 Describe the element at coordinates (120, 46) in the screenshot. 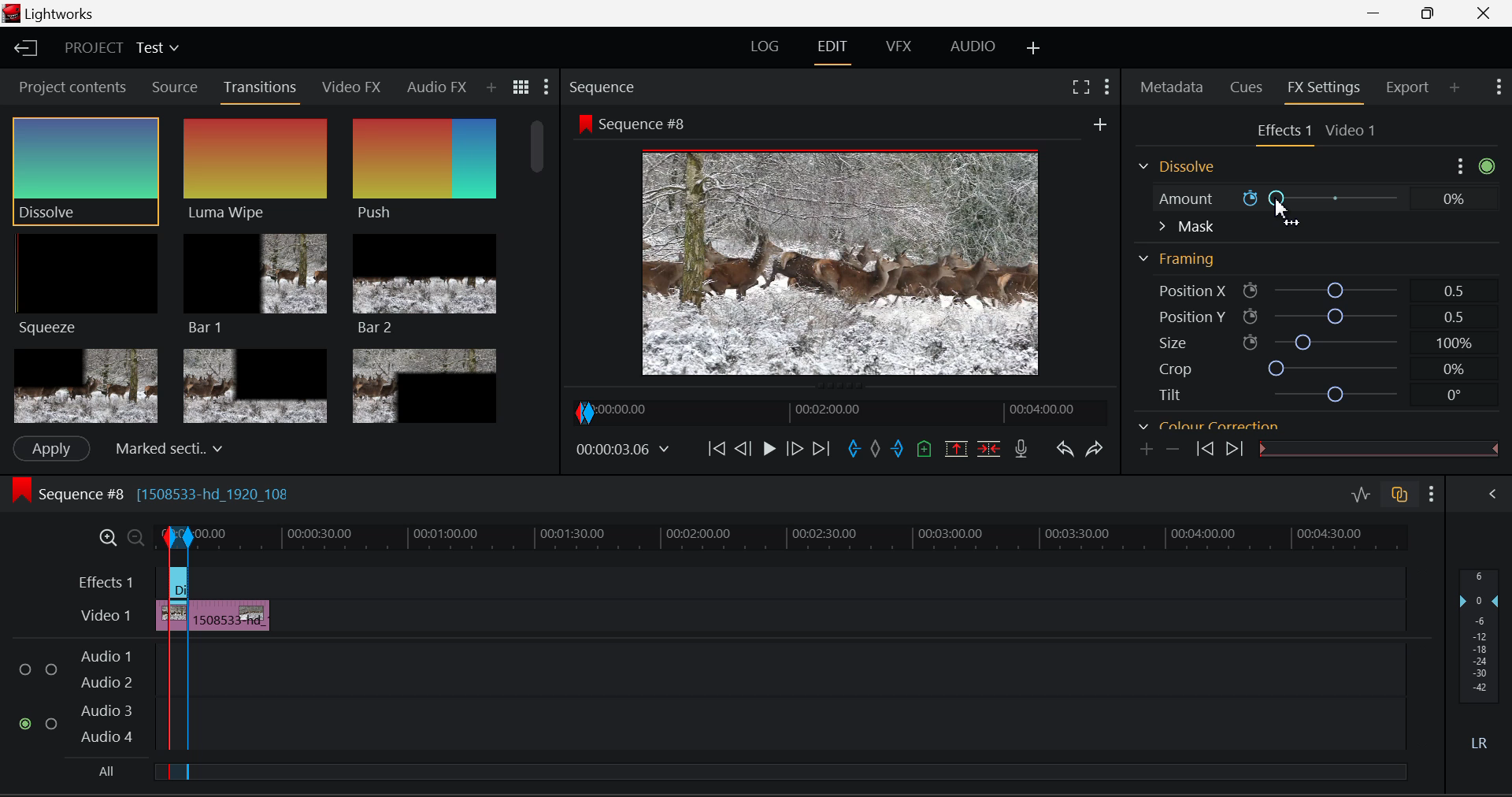

I see `Project Title` at that location.